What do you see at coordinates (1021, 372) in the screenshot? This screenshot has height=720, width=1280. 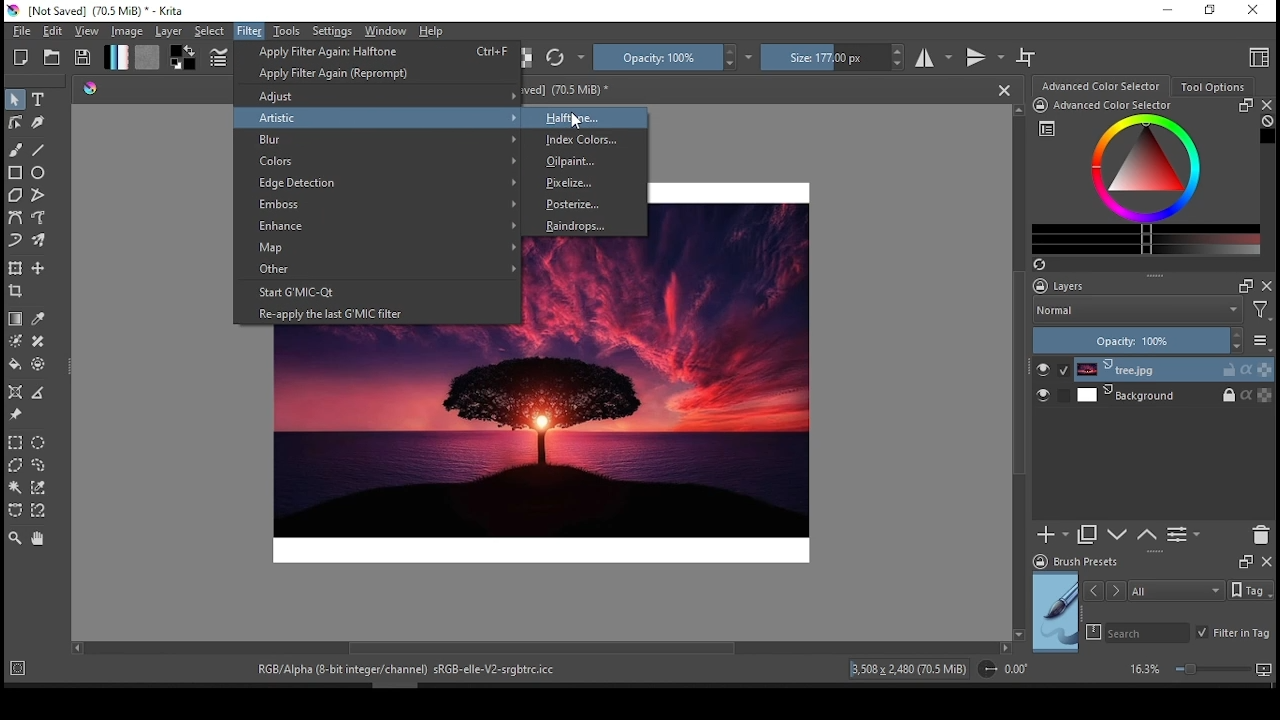 I see `scroll bar` at bounding box center [1021, 372].